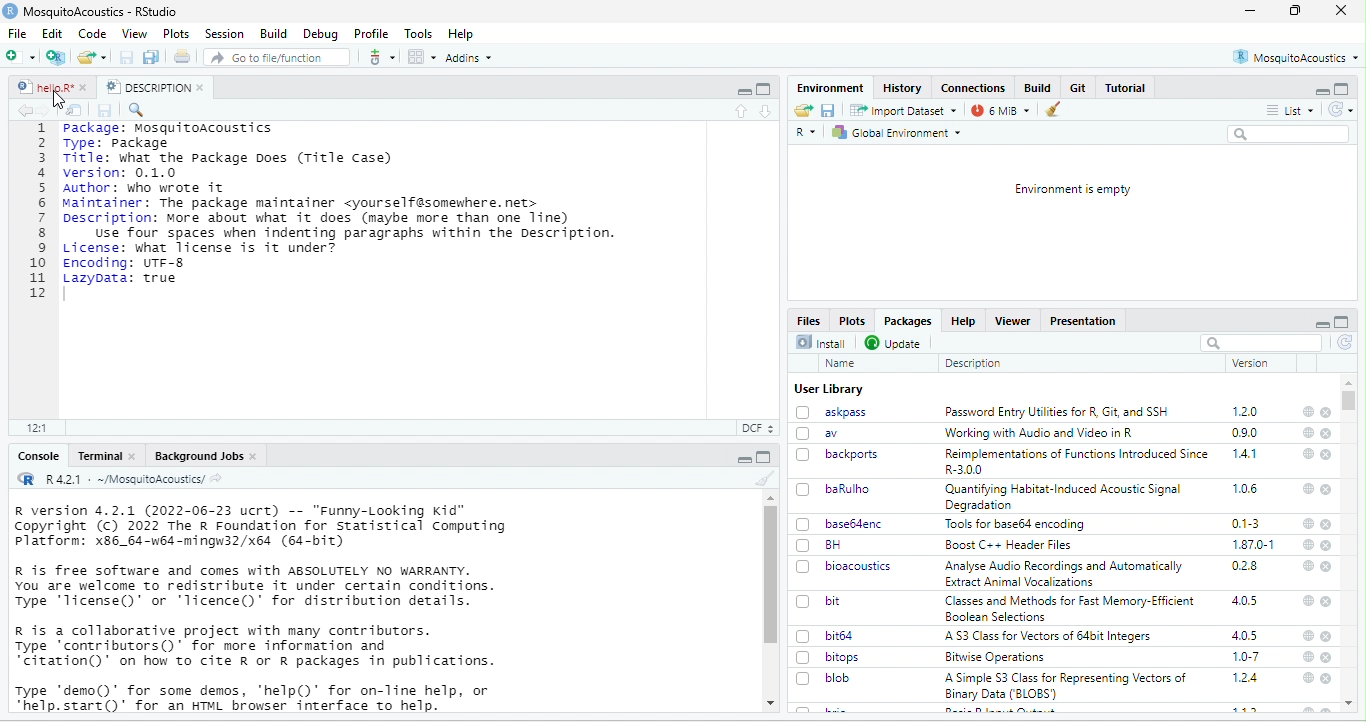 The image size is (1366, 722). Describe the element at coordinates (740, 112) in the screenshot. I see `previous section` at that location.